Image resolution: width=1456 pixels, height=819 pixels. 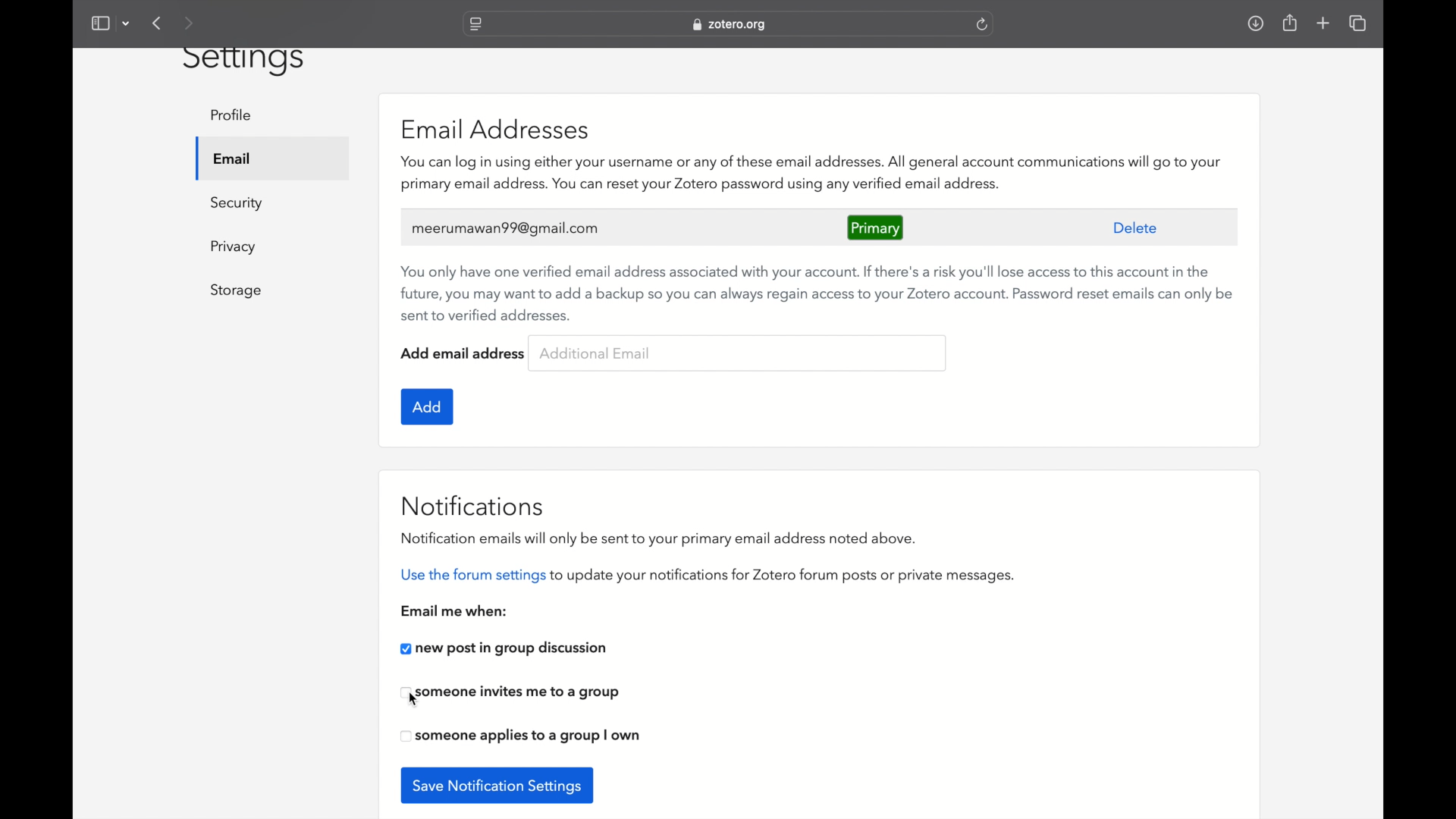 What do you see at coordinates (704, 575) in the screenshot?
I see `use the forum settings to update your notifications for zotero forum posts or private messages` at bounding box center [704, 575].